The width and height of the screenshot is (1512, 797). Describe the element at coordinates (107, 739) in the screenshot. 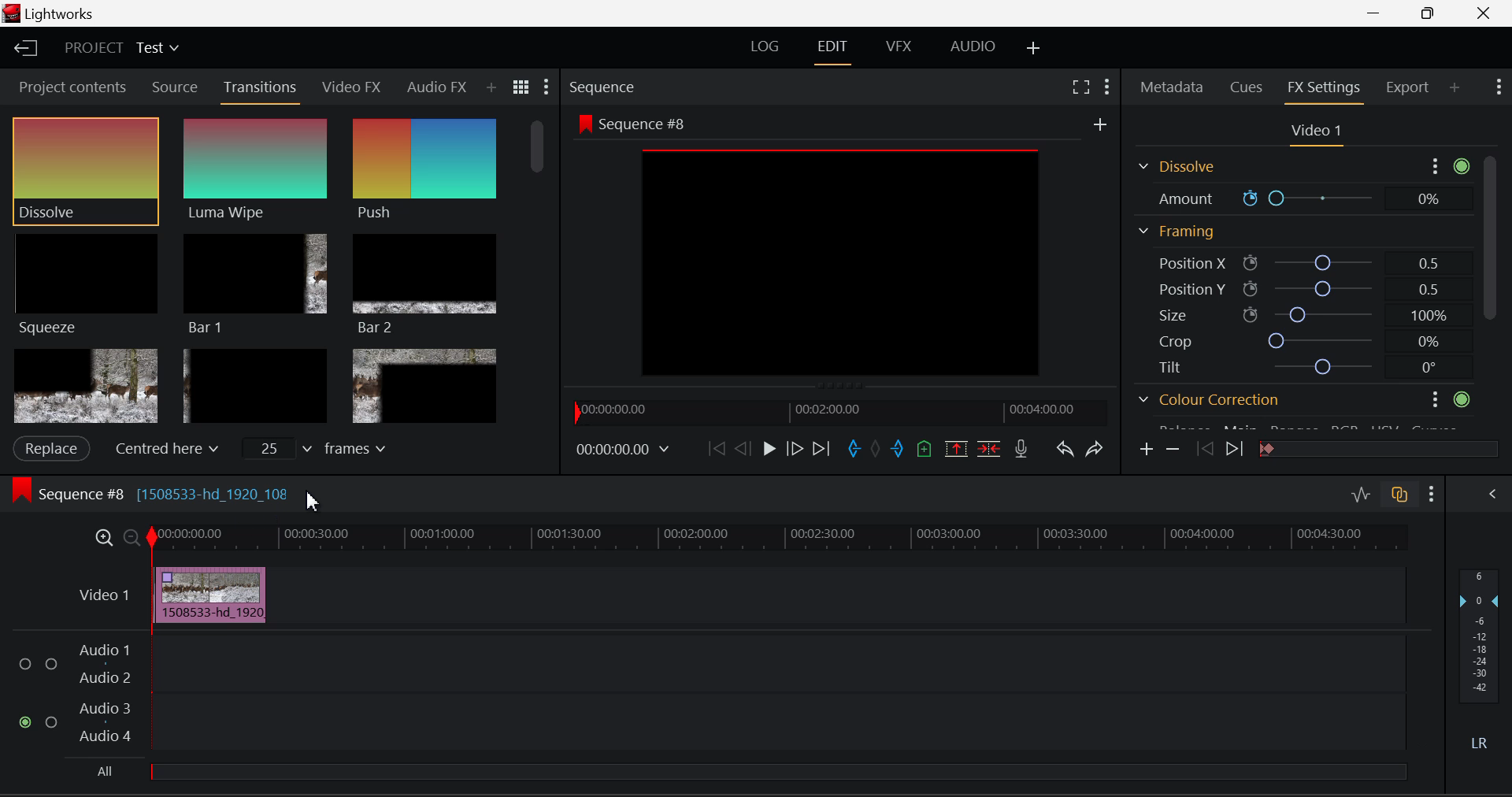

I see `Audio 4` at that location.